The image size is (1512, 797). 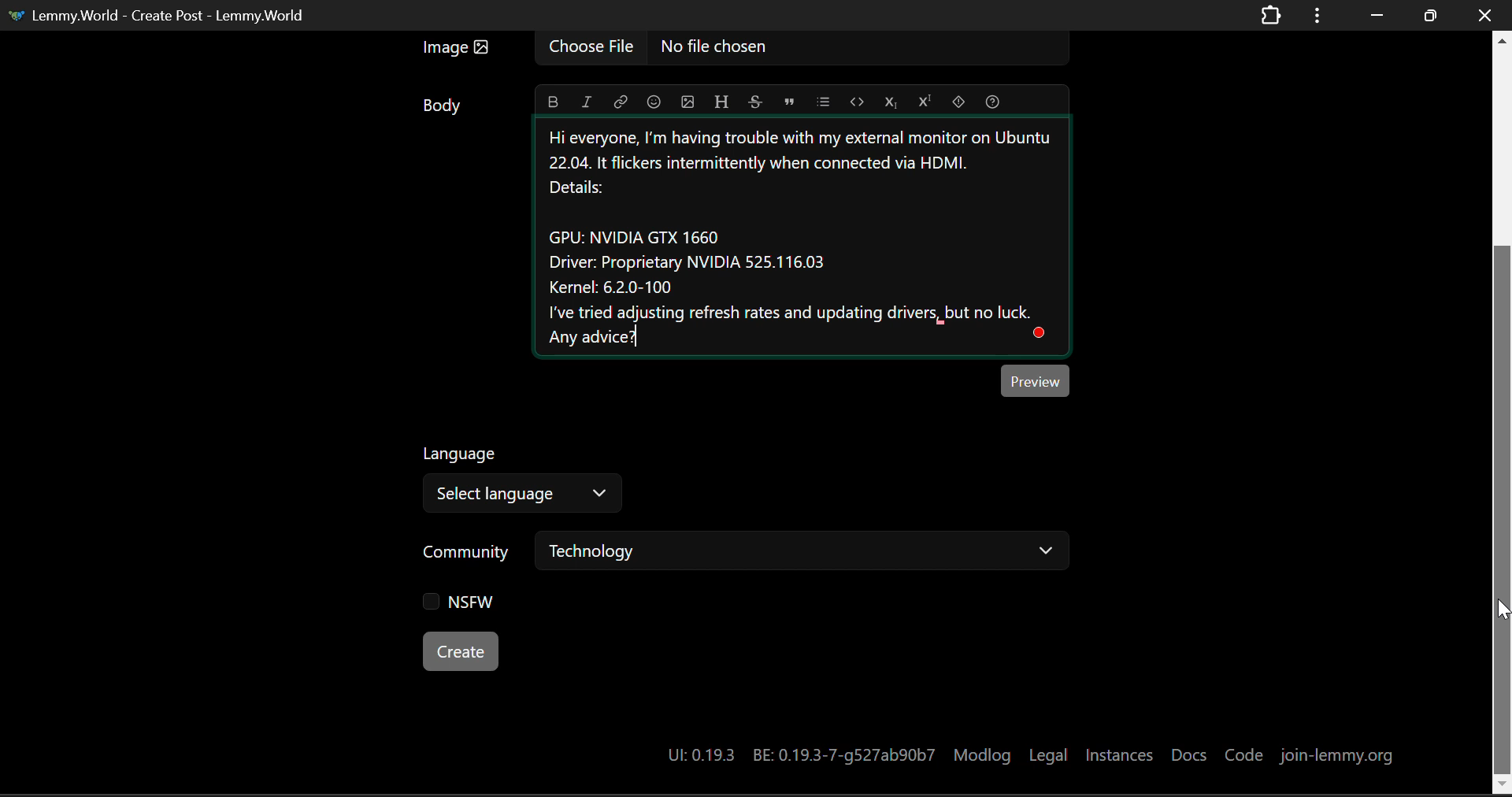 I want to click on Subscript, so click(x=890, y=99).